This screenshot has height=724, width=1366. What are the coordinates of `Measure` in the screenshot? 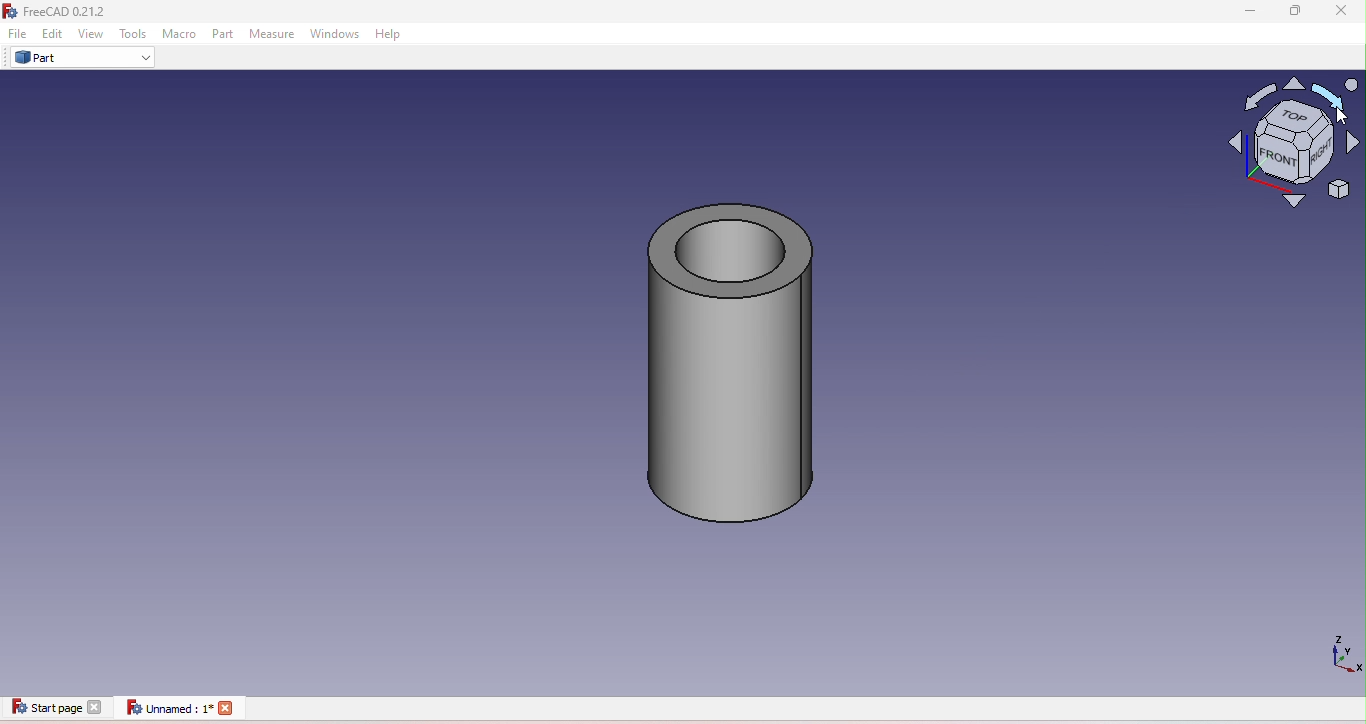 It's located at (274, 35).